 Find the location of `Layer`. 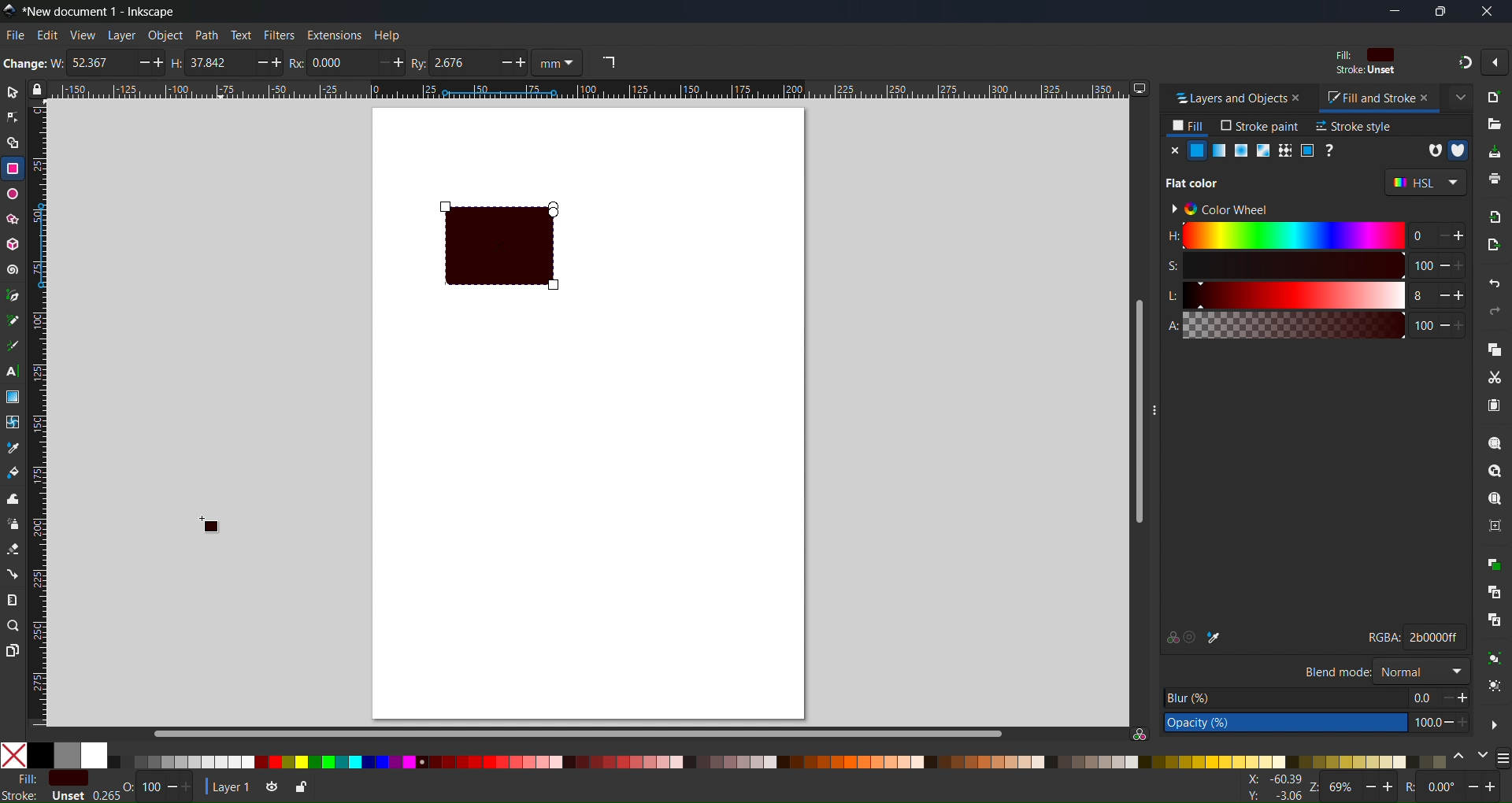

Layer is located at coordinates (120, 35).